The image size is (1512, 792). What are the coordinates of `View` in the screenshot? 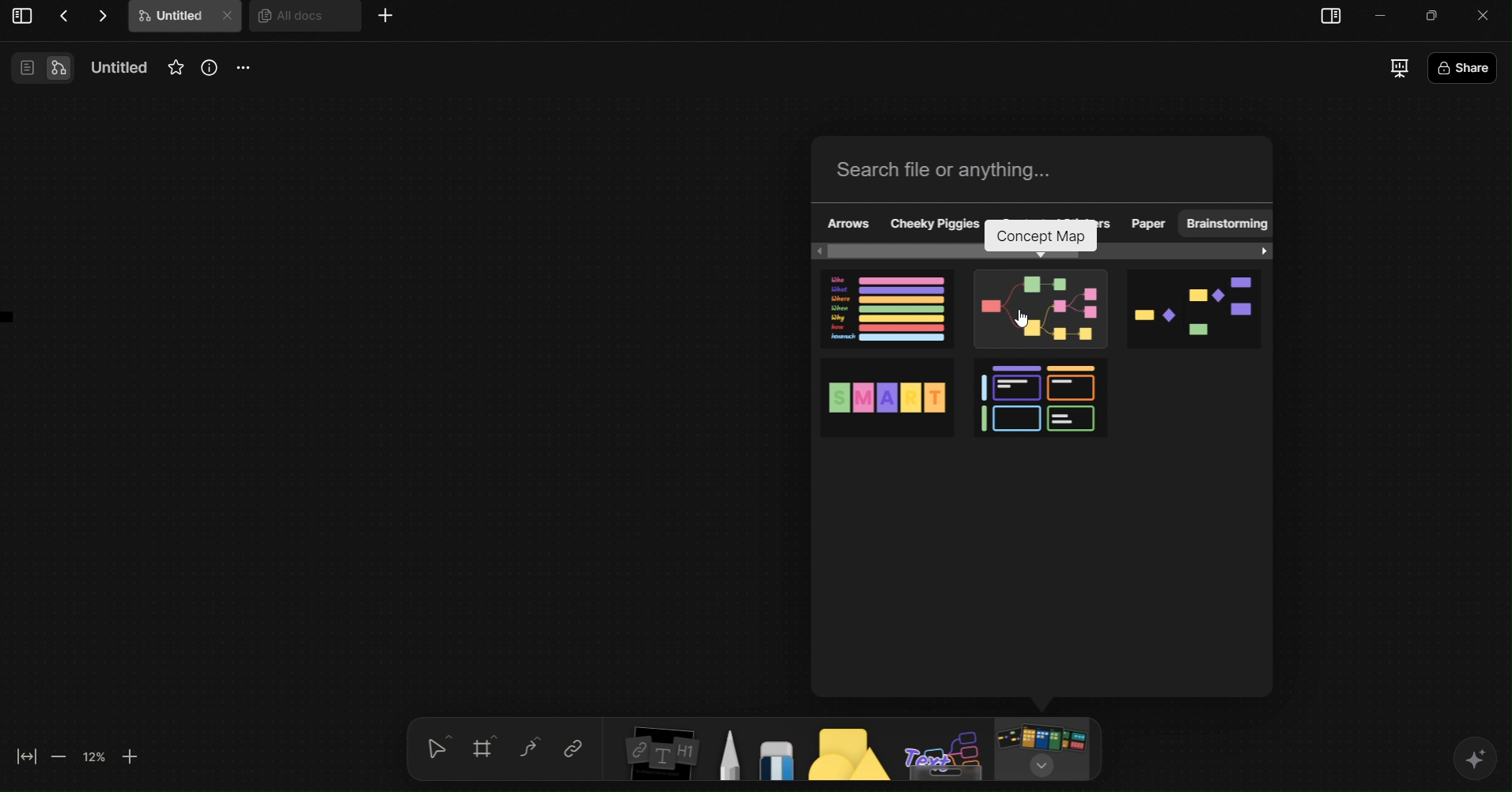 It's located at (21, 18).